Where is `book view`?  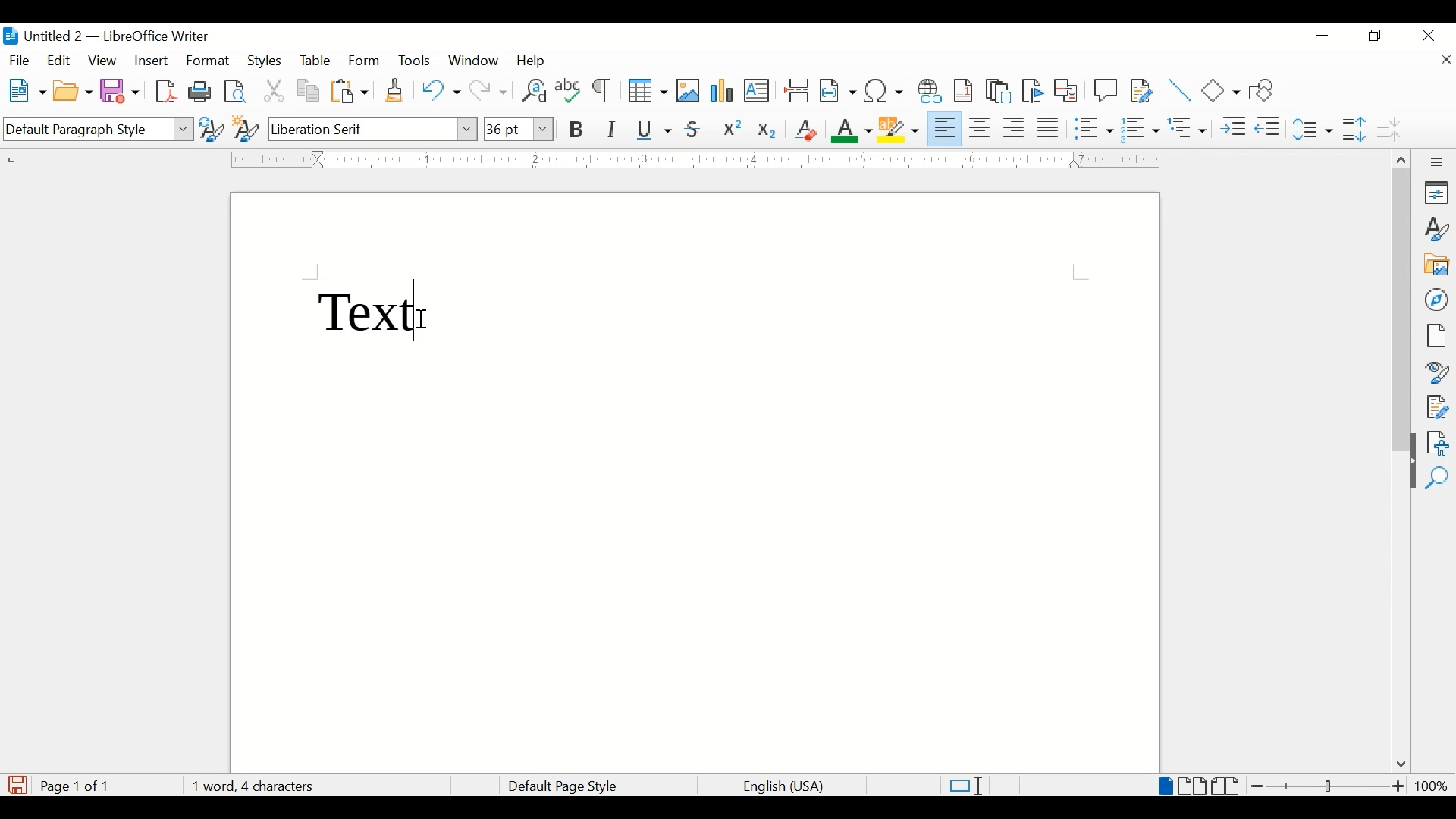
book view is located at coordinates (1228, 786).